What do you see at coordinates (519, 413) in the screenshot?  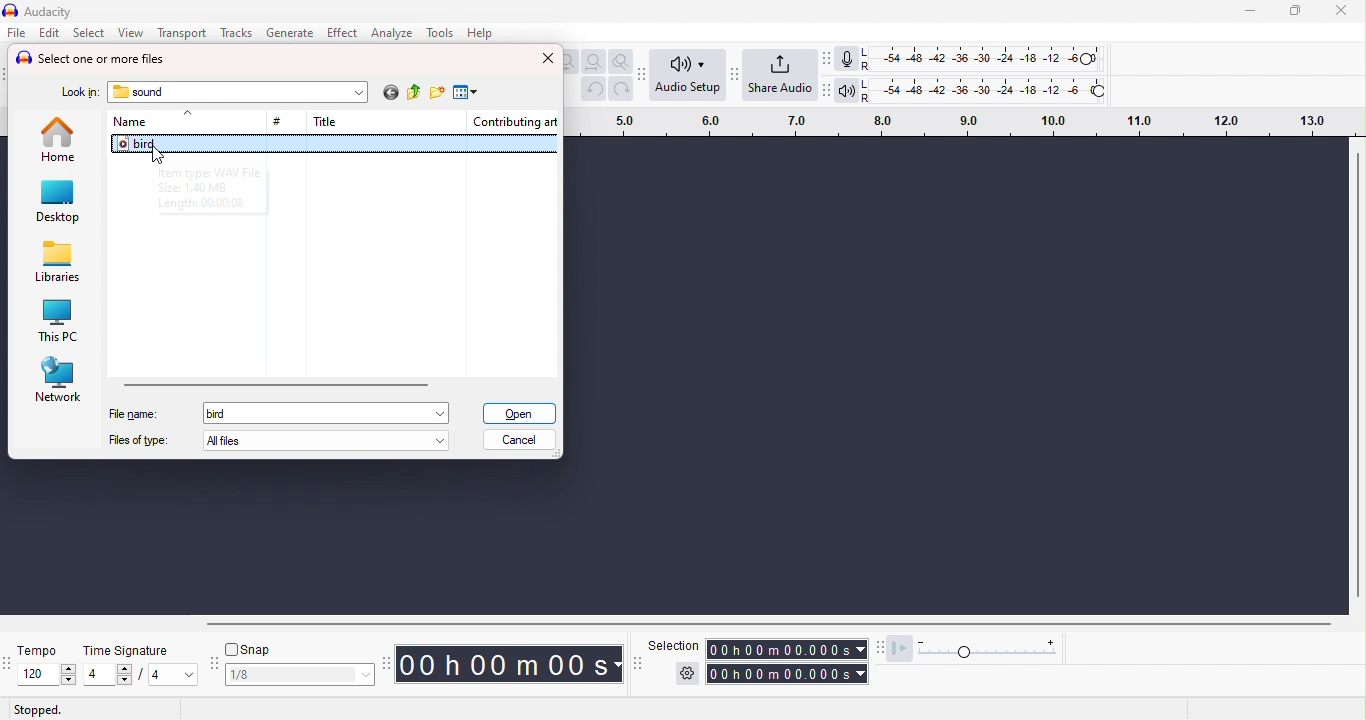 I see `open` at bounding box center [519, 413].